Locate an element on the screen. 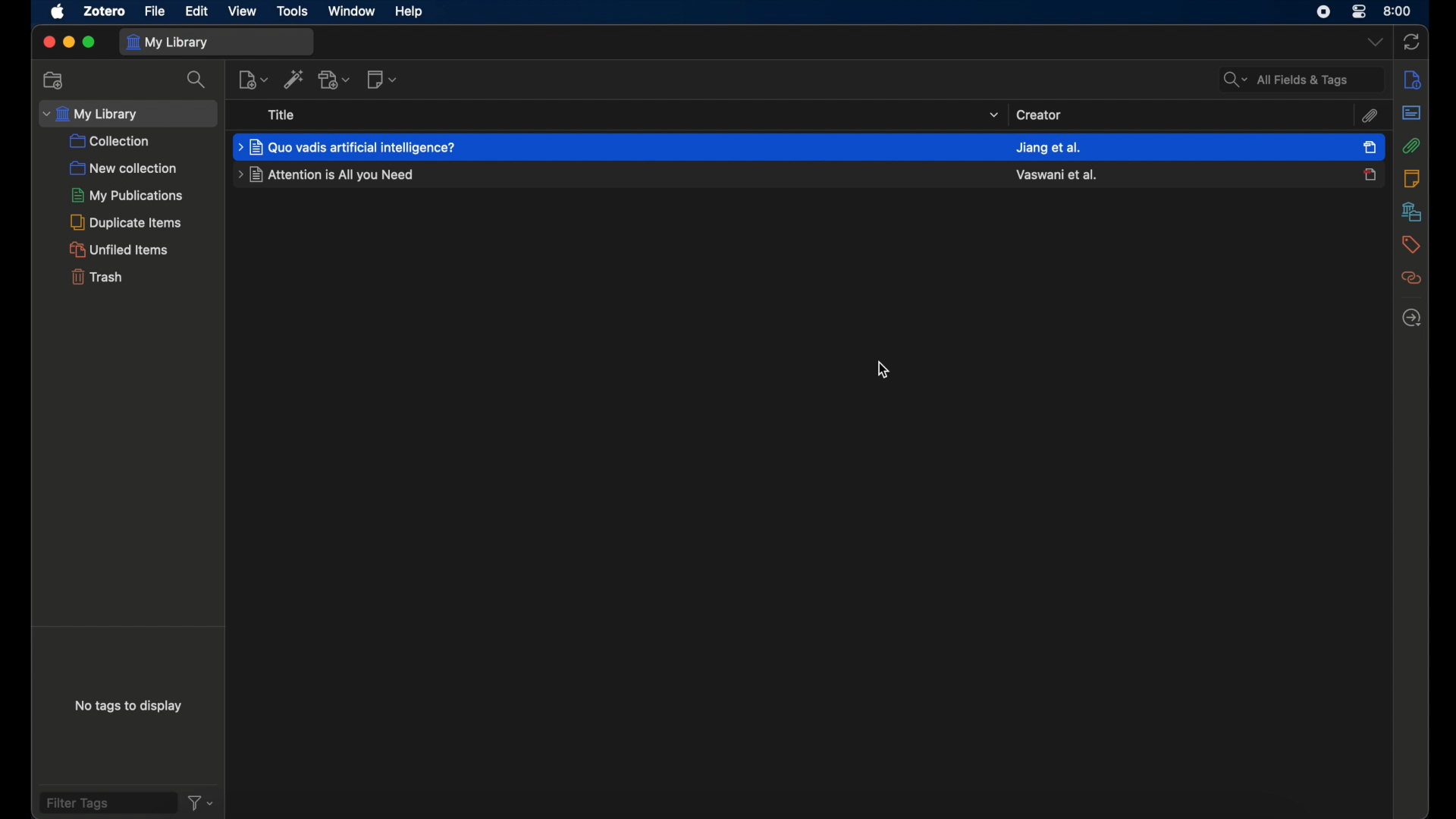 This screenshot has height=819, width=1456. edit is located at coordinates (197, 11).